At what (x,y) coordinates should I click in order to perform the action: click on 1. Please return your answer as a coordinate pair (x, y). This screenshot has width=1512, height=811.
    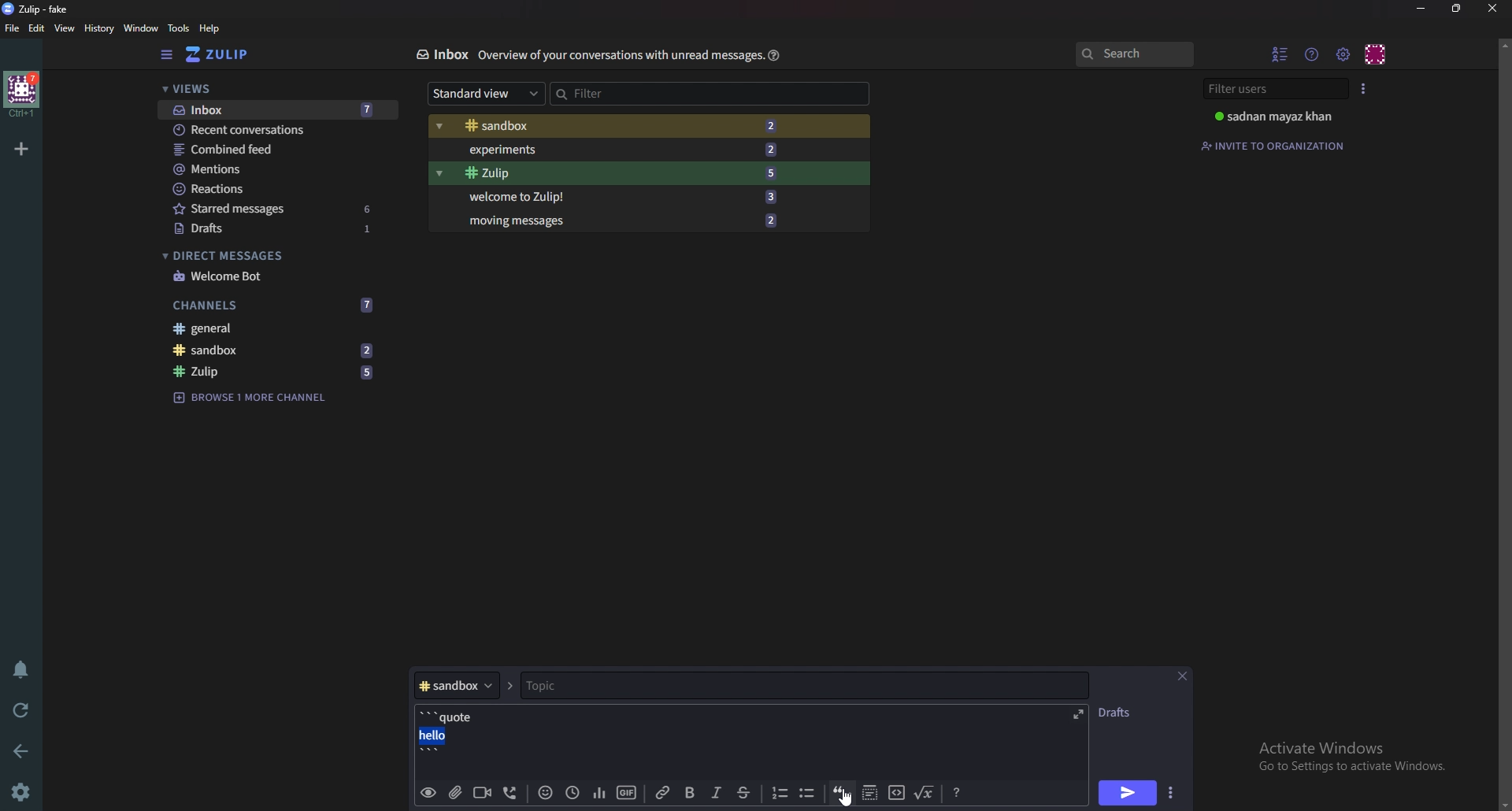
    Looking at the image, I should click on (377, 233).